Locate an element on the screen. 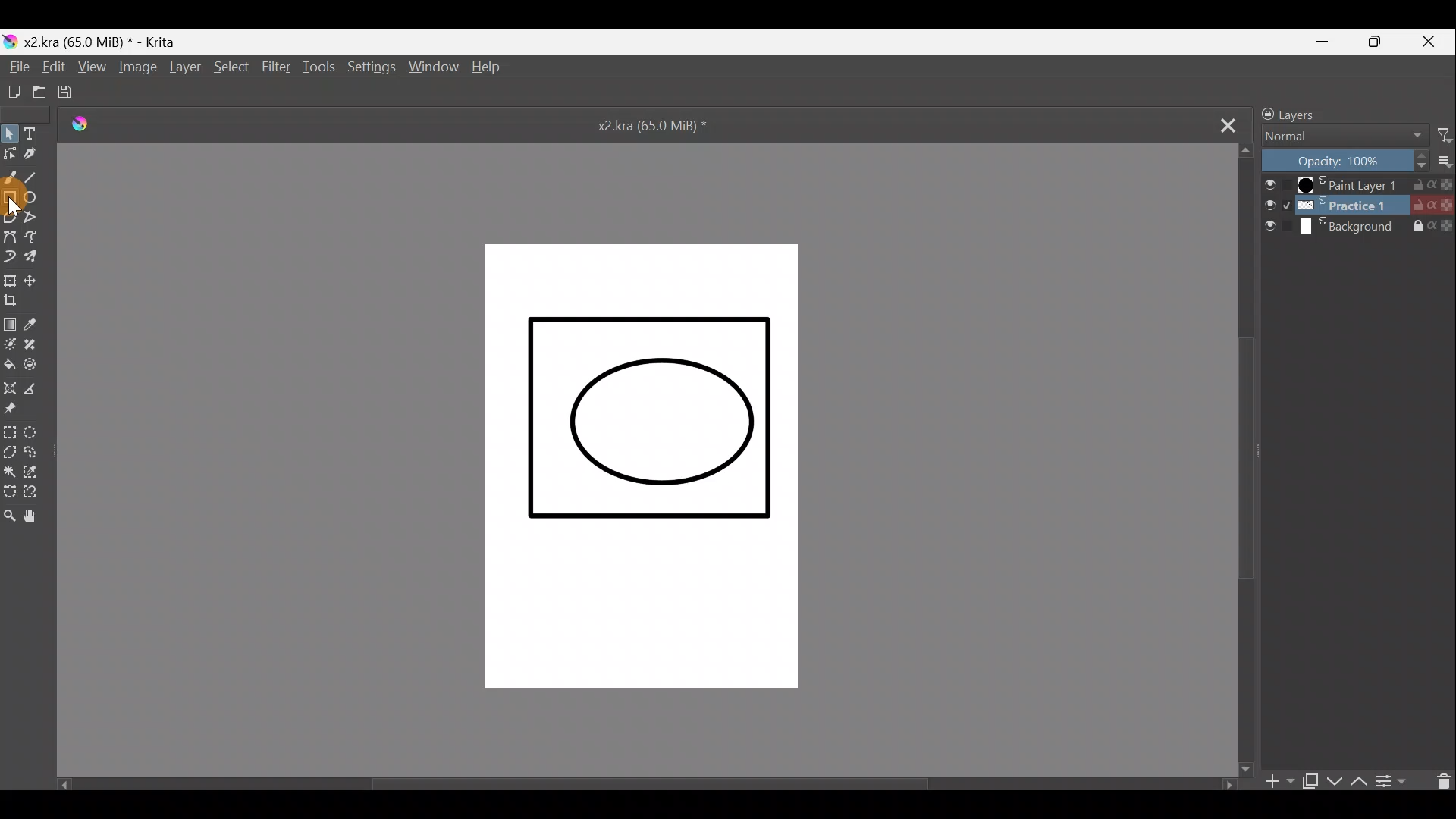 Image resolution: width=1456 pixels, height=819 pixels. Smart patch tool is located at coordinates (36, 346).